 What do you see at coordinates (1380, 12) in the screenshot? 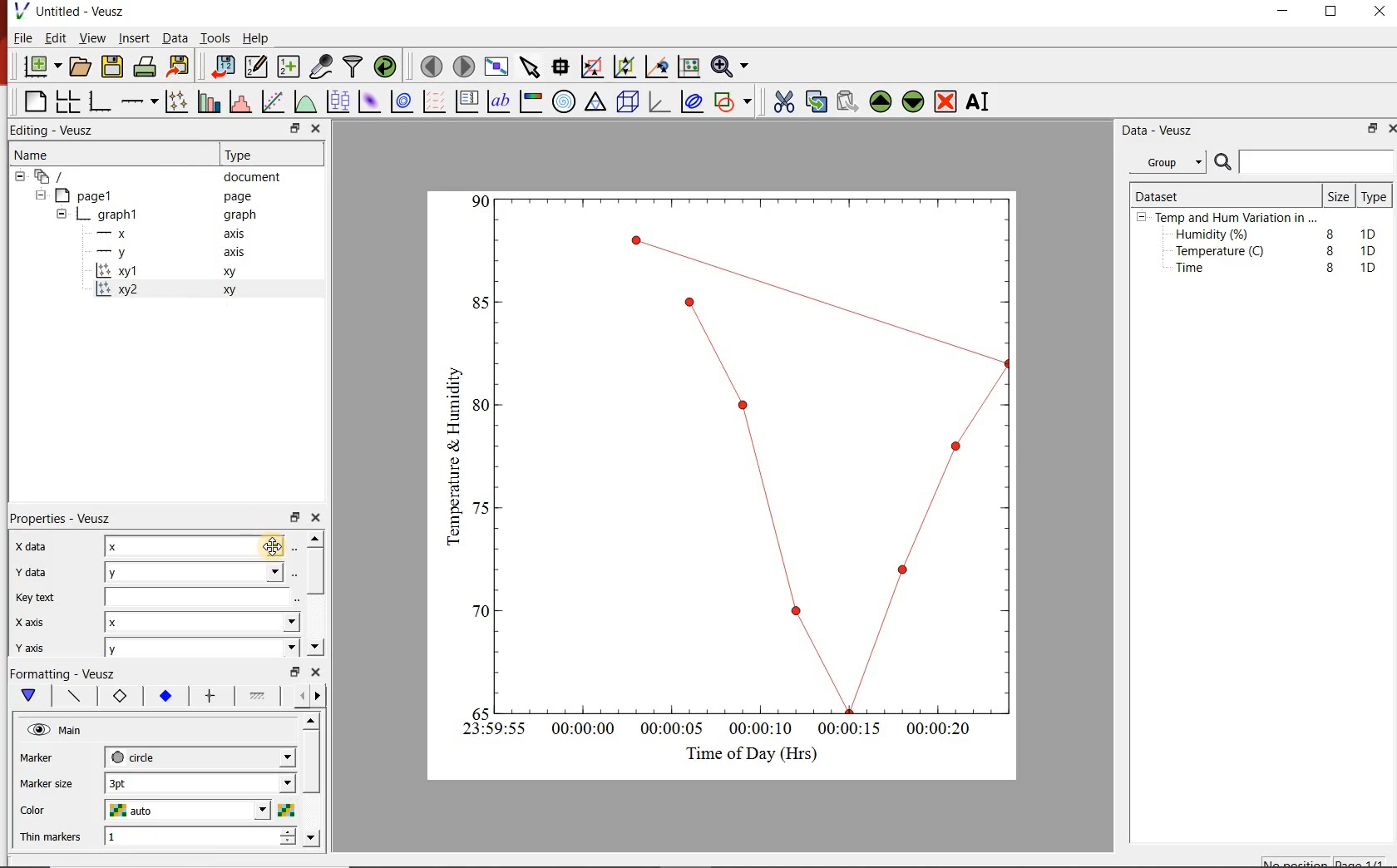
I see `close` at bounding box center [1380, 12].